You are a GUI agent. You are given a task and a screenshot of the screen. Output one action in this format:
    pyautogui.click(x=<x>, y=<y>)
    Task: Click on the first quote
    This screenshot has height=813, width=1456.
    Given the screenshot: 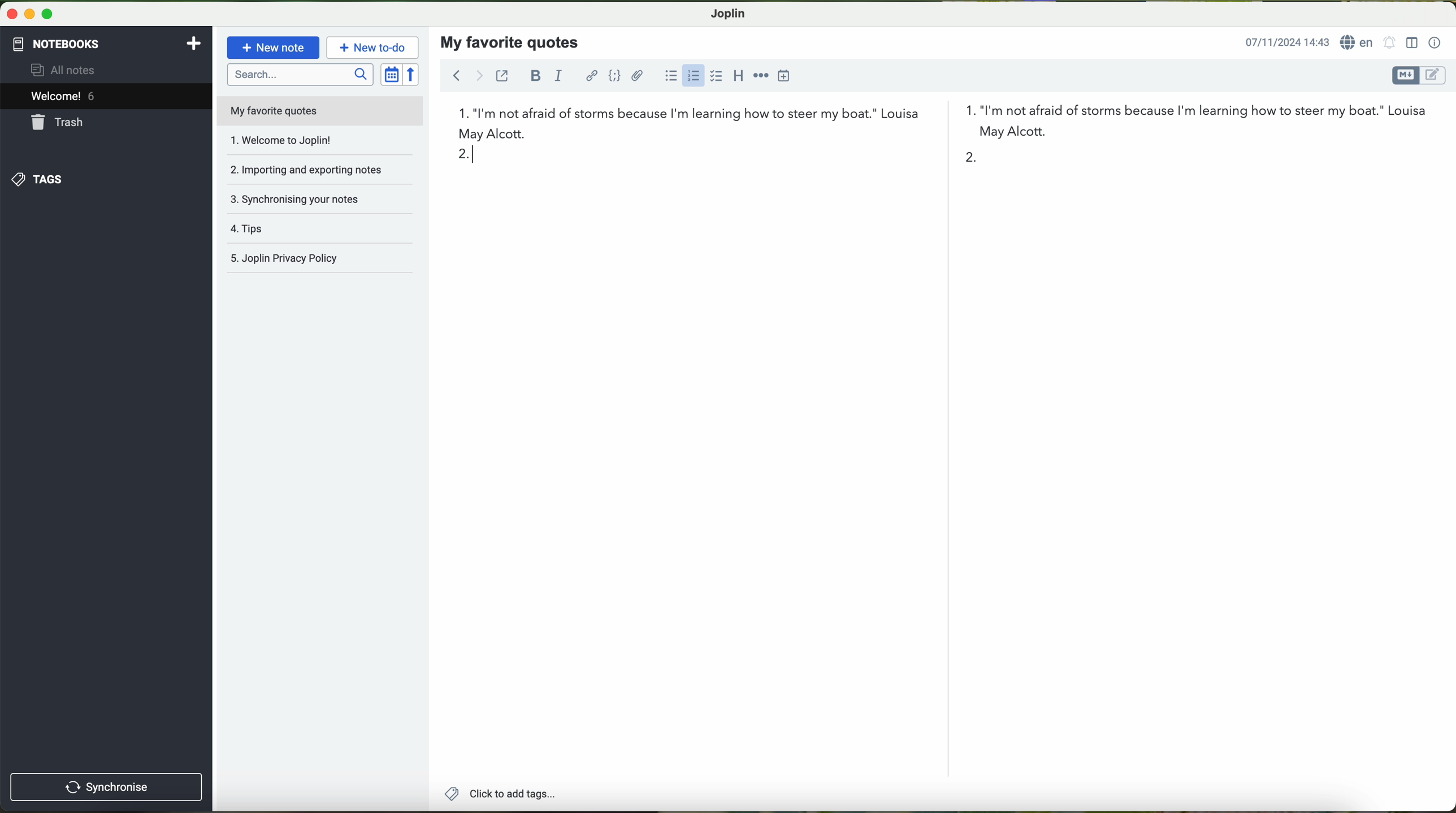 What is the action you would take?
    pyautogui.click(x=942, y=126)
    